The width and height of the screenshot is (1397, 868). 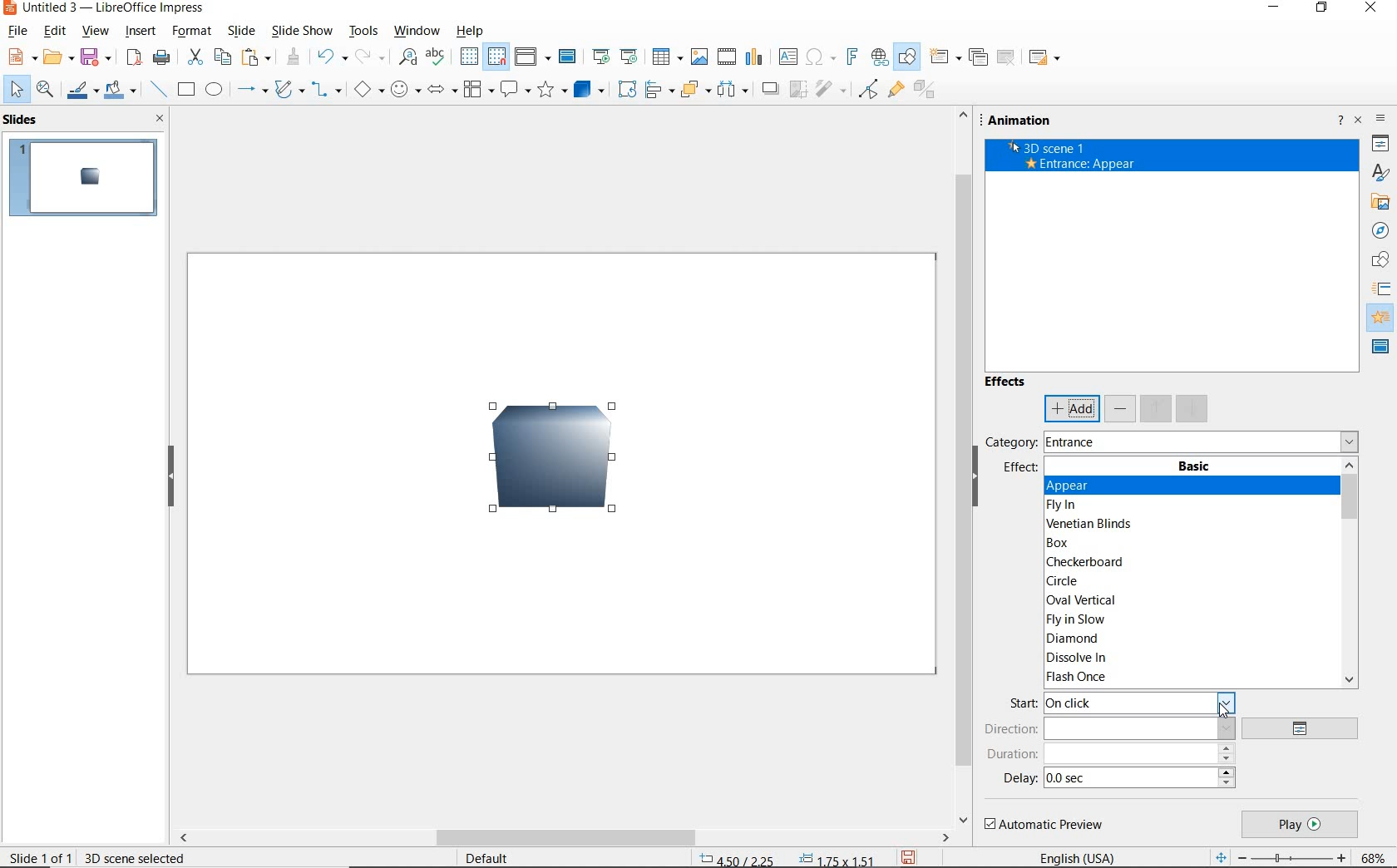 I want to click on move down effect, so click(x=1191, y=407).